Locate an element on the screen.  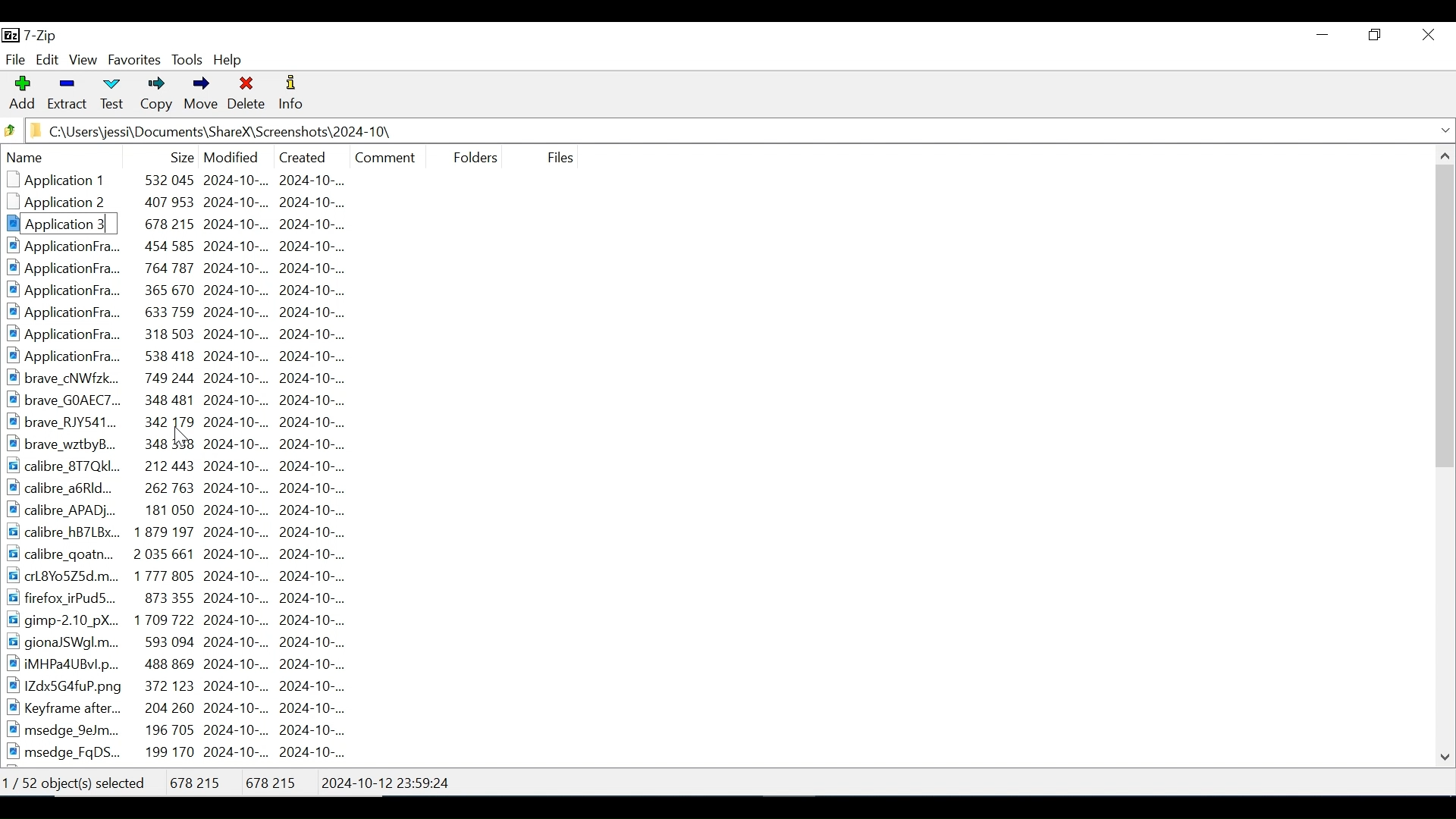
Folders is located at coordinates (471, 155).